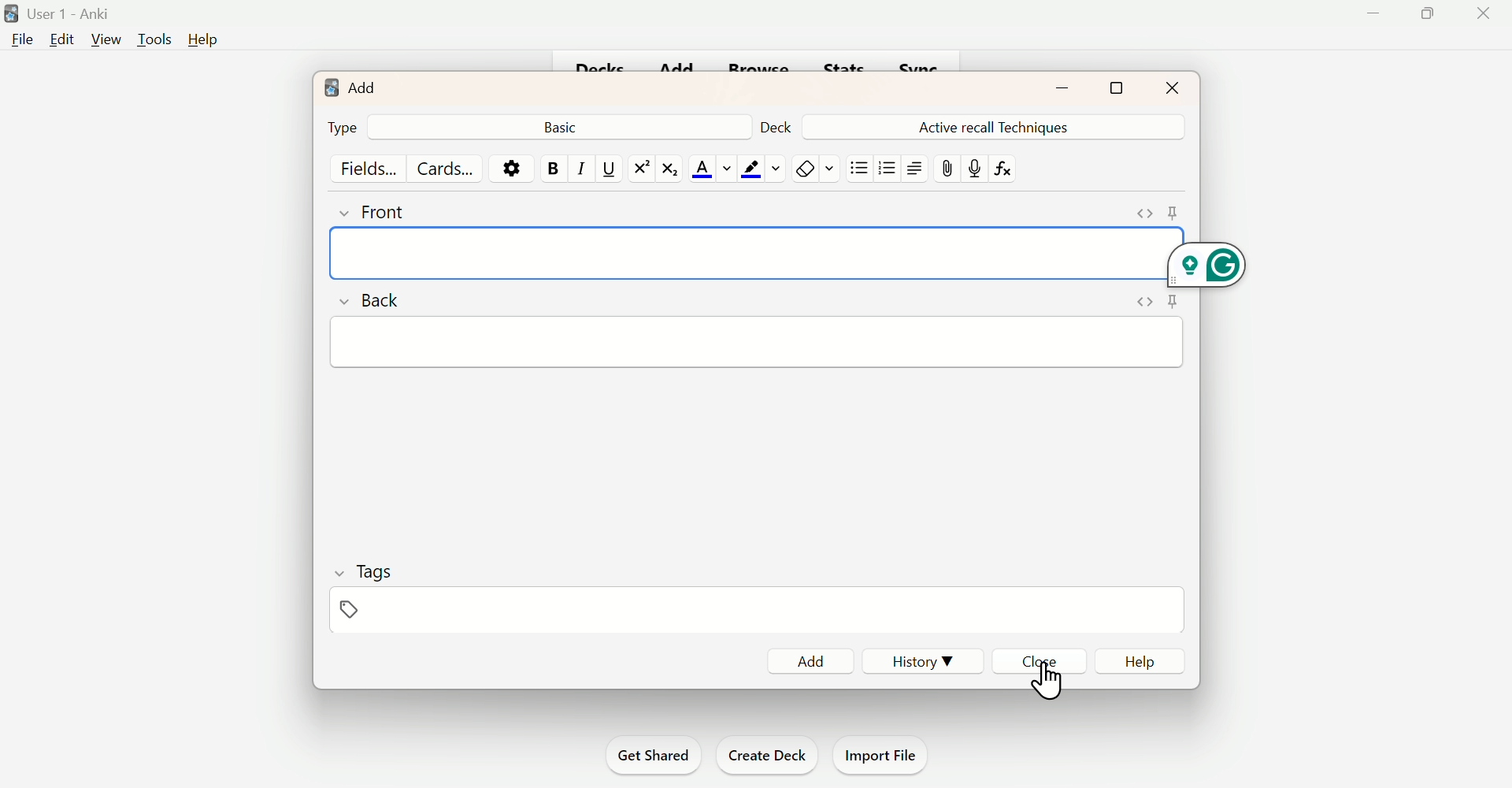  I want to click on Pin, so click(1153, 208).